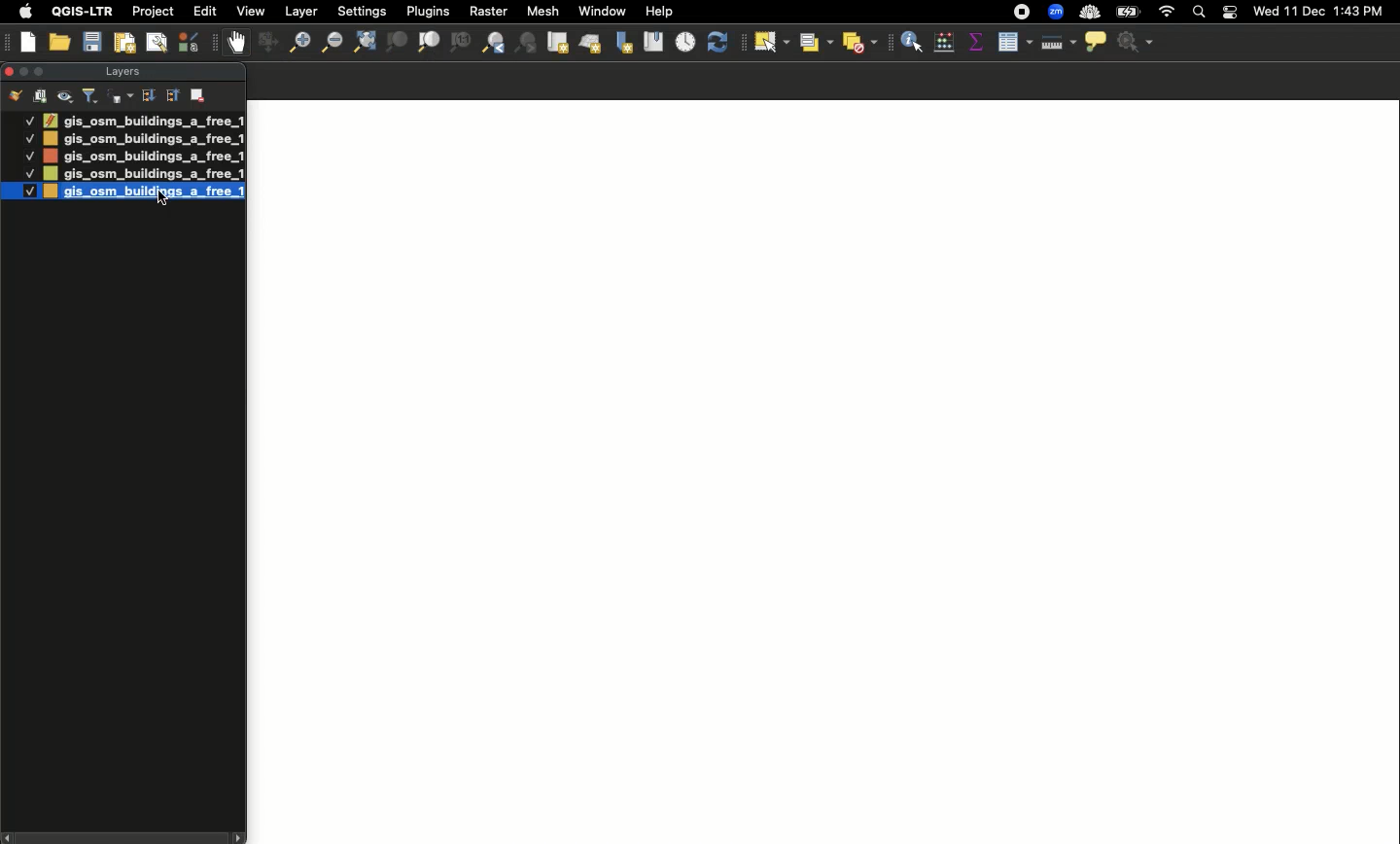 The width and height of the screenshot is (1400, 844). Describe the element at coordinates (16, 96) in the screenshot. I see `Open the layer styling panel` at that location.